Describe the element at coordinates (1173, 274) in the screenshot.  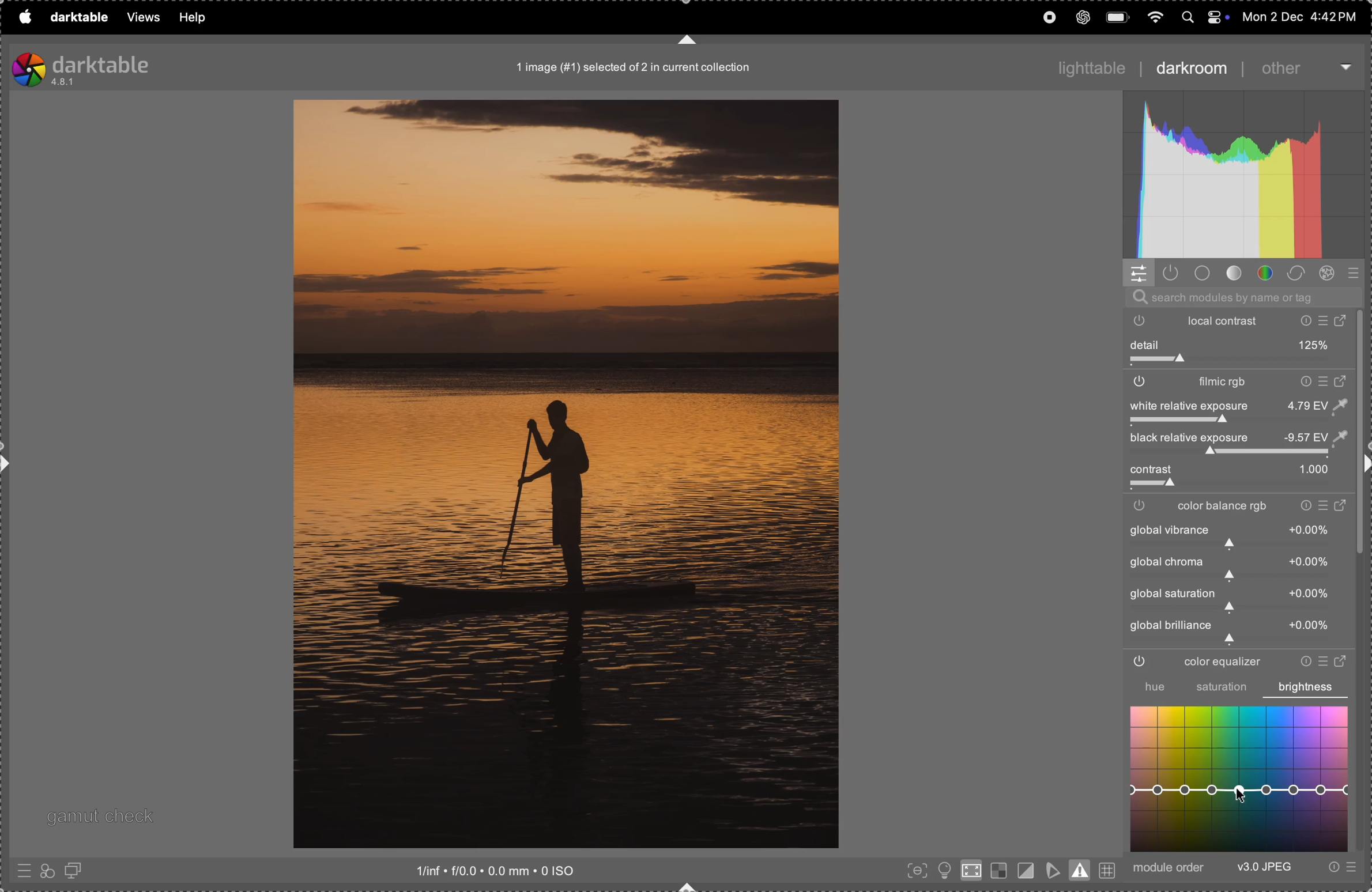
I see `show active modules` at that location.